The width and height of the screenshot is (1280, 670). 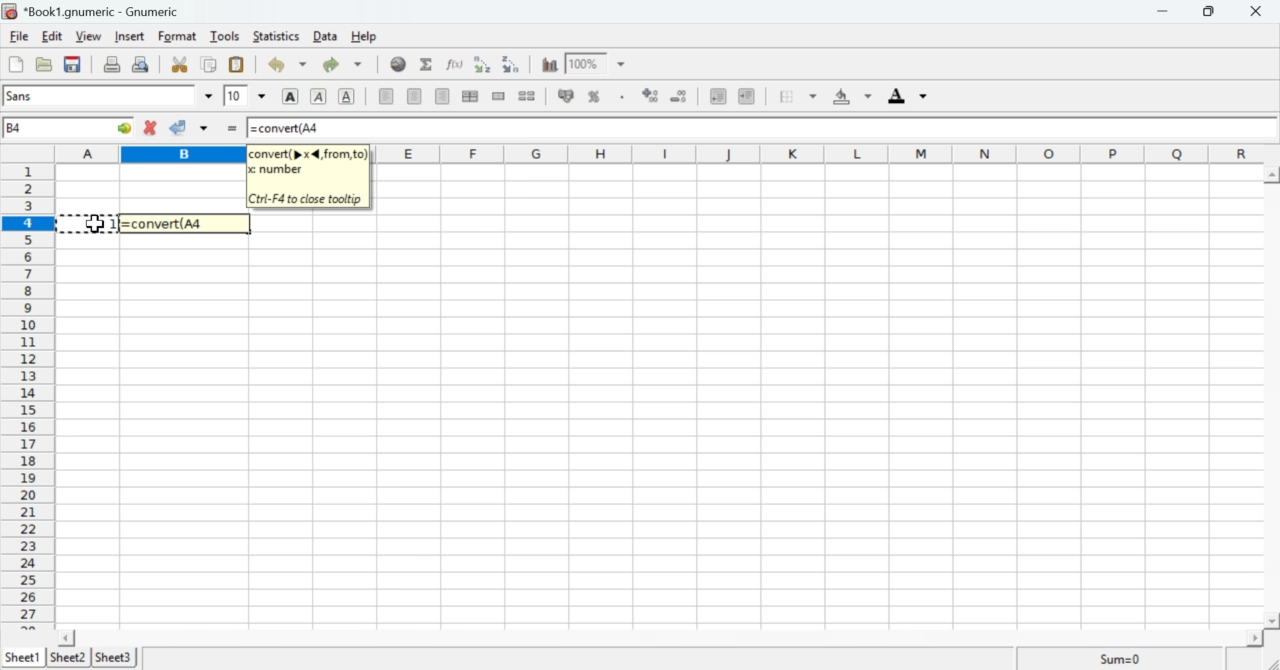 I want to click on Minimize/Maximize, so click(x=1210, y=12).